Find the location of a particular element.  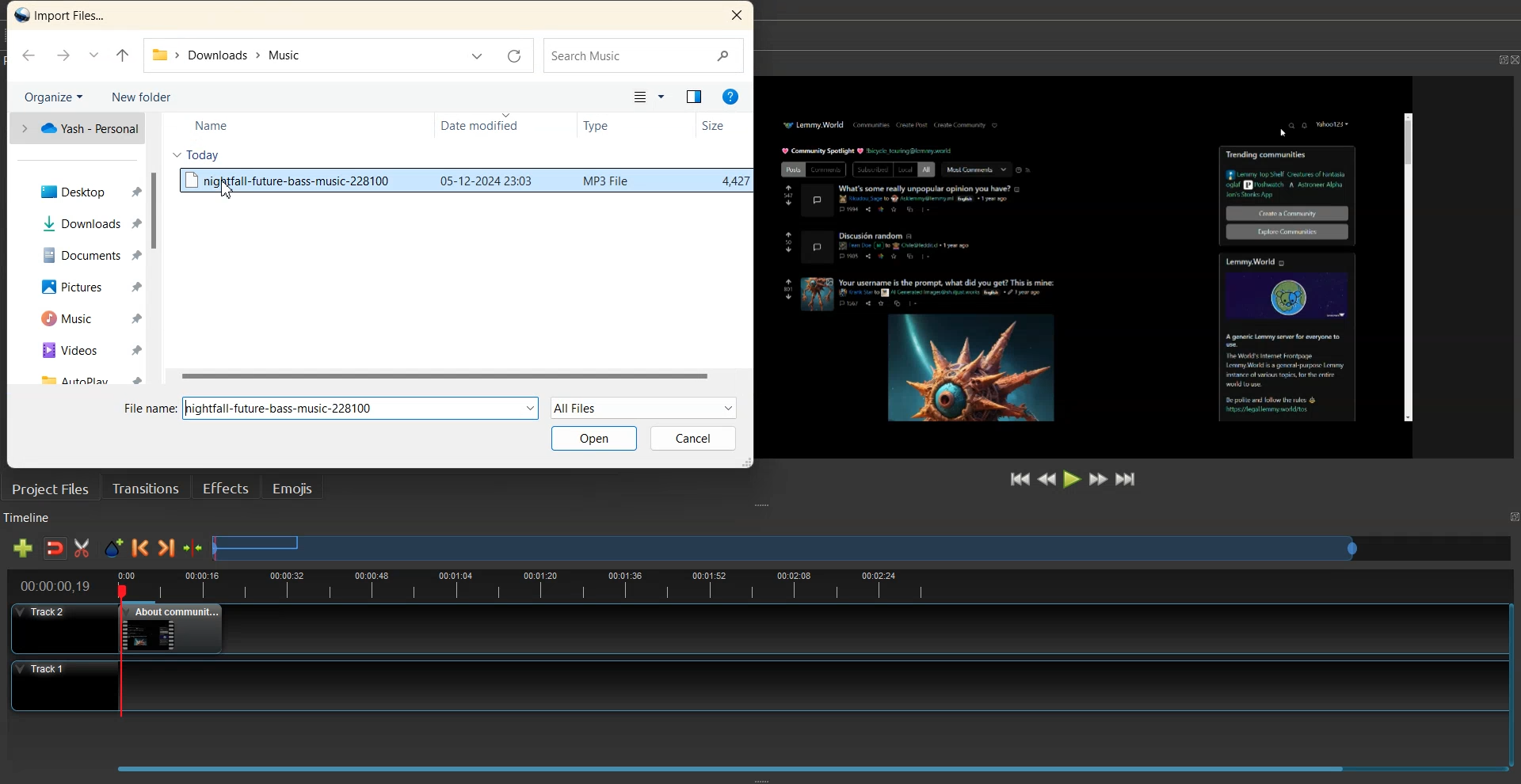

Transition is located at coordinates (146, 487).